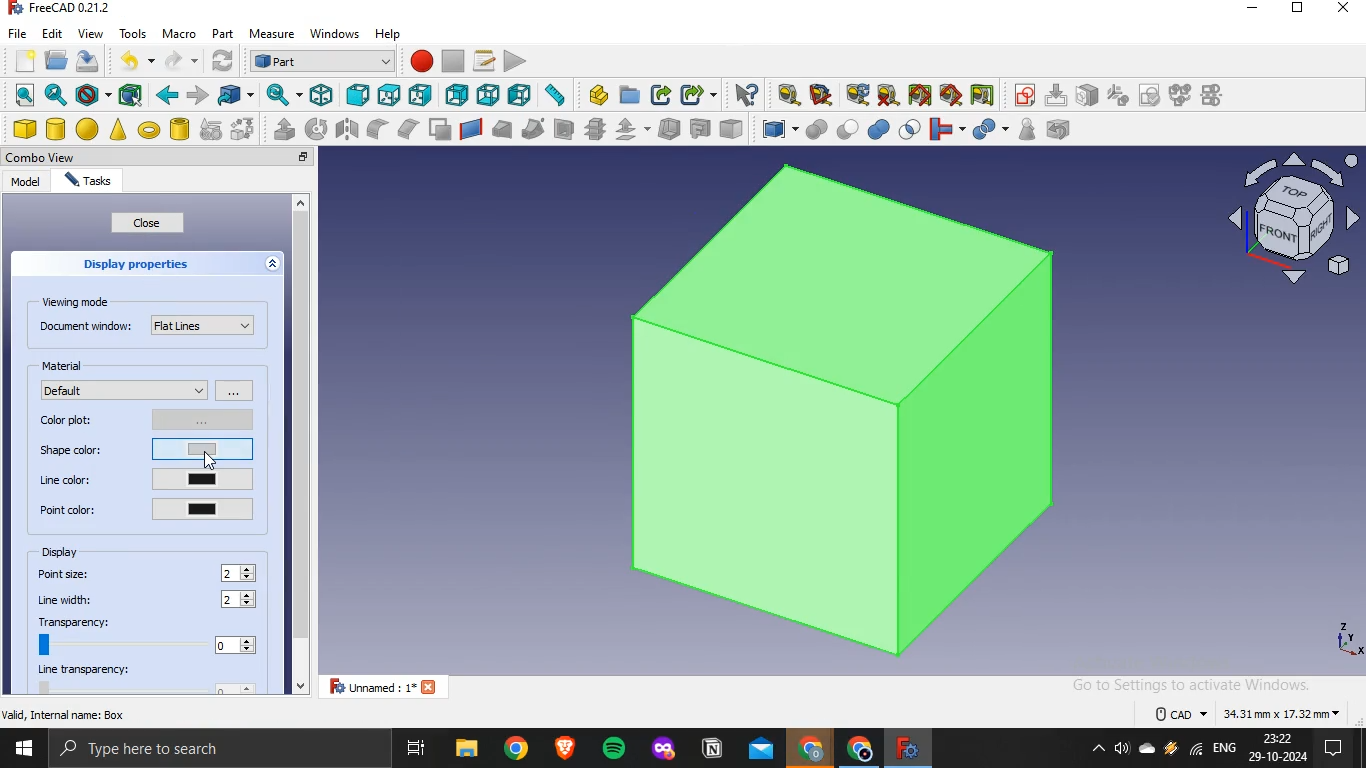 This screenshot has width=1366, height=768. Describe the element at coordinates (1279, 748) in the screenshot. I see `time and date` at that location.